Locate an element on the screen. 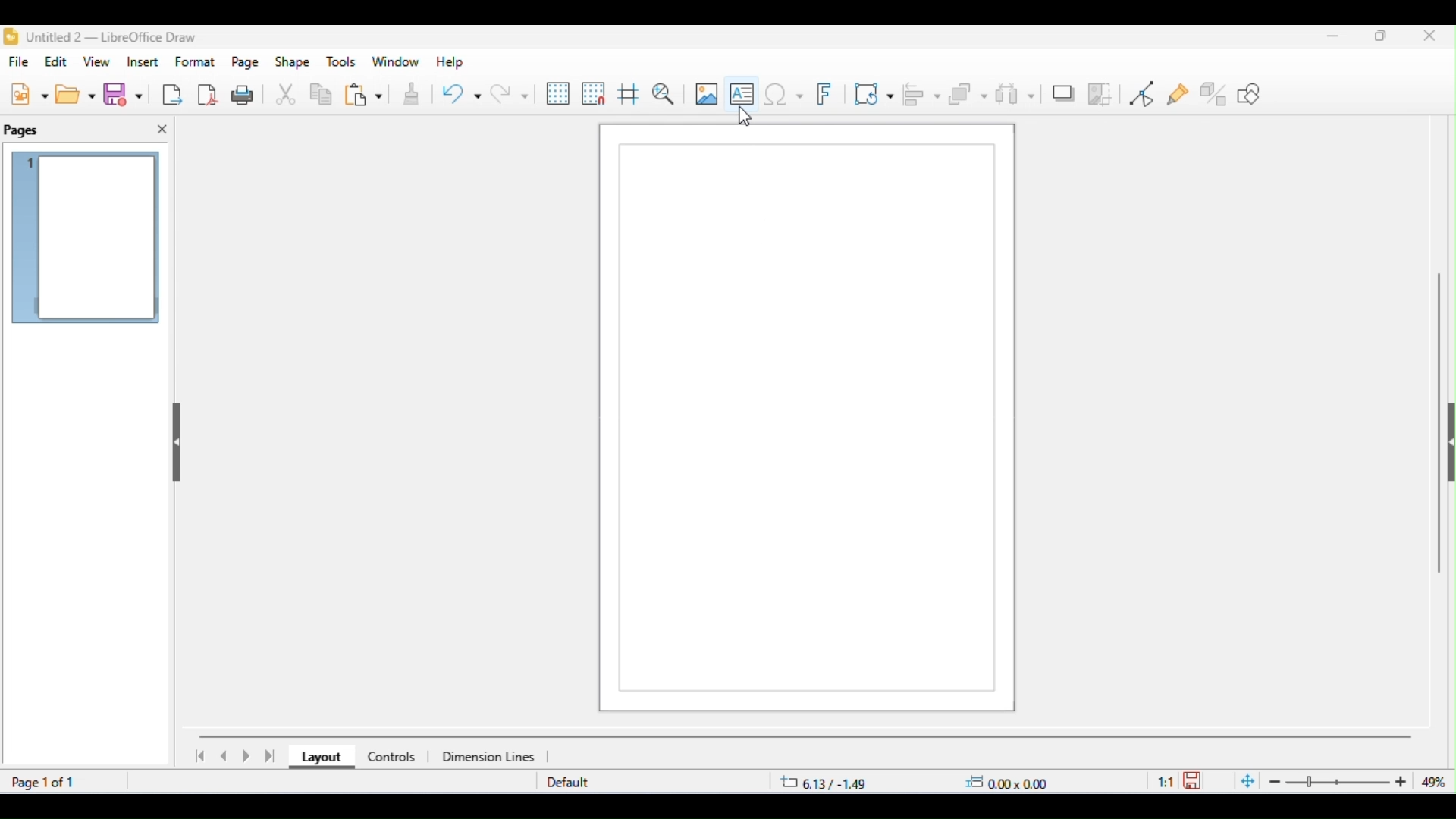 The image size is (1456, 819). insert special characters is located at coordinates (783, 93).